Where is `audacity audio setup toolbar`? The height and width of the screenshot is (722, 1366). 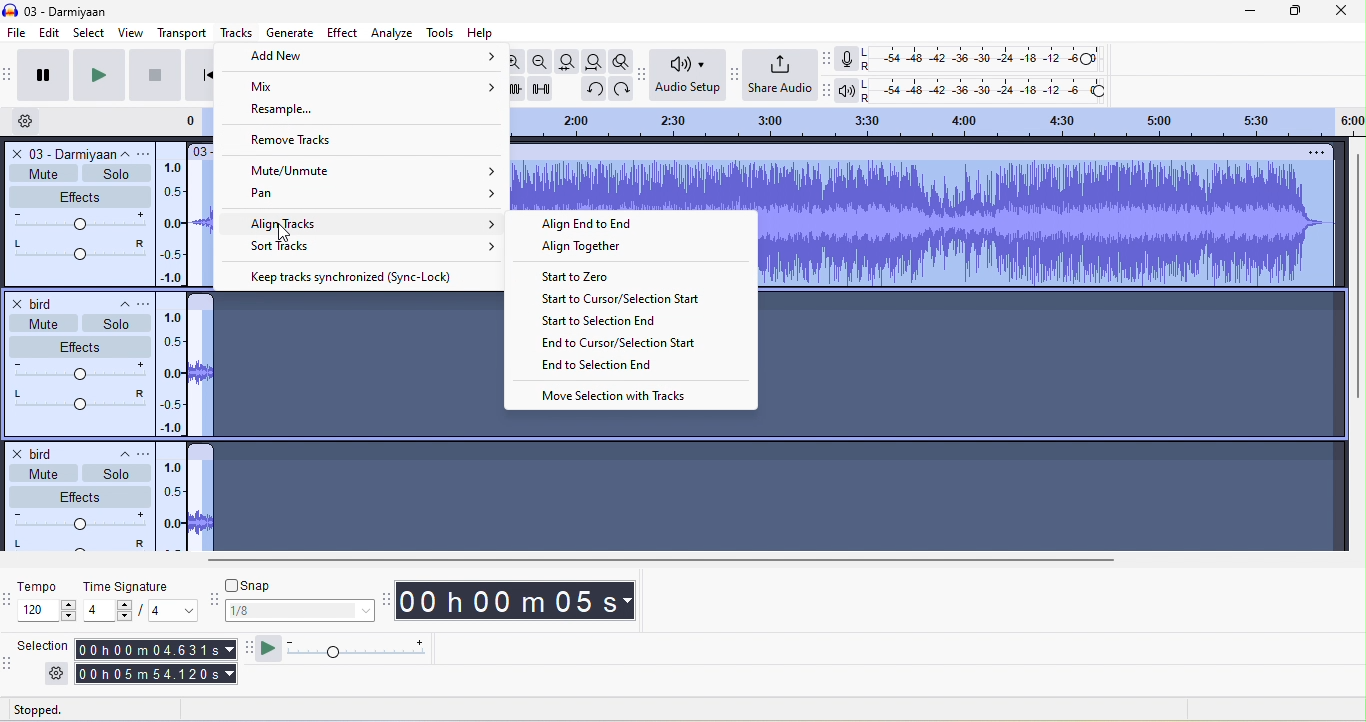
audacity audio setup toolbar is located at coordinates (648, 73).